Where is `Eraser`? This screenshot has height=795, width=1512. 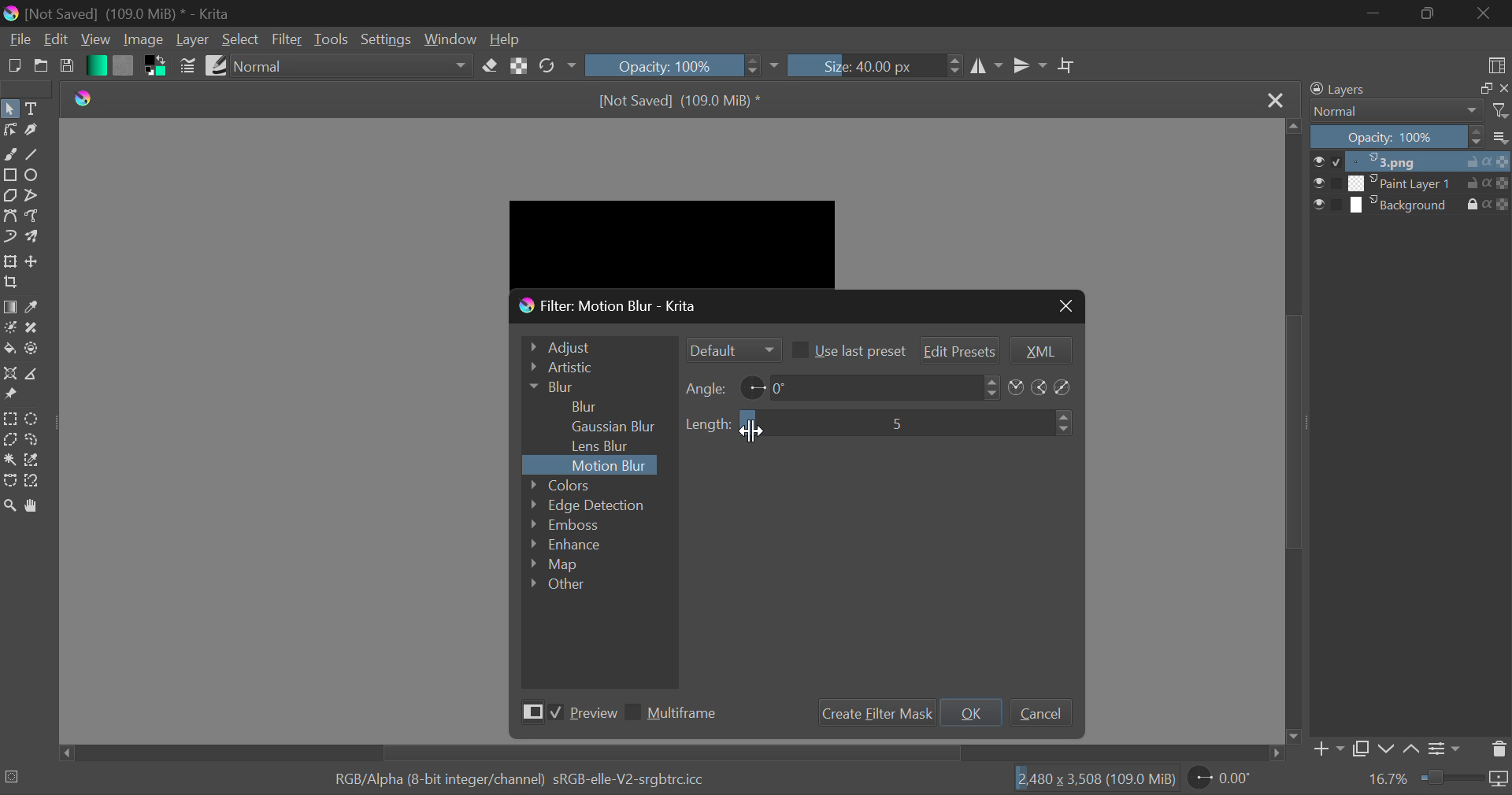 Eraser is located at coordinates (491, 65).